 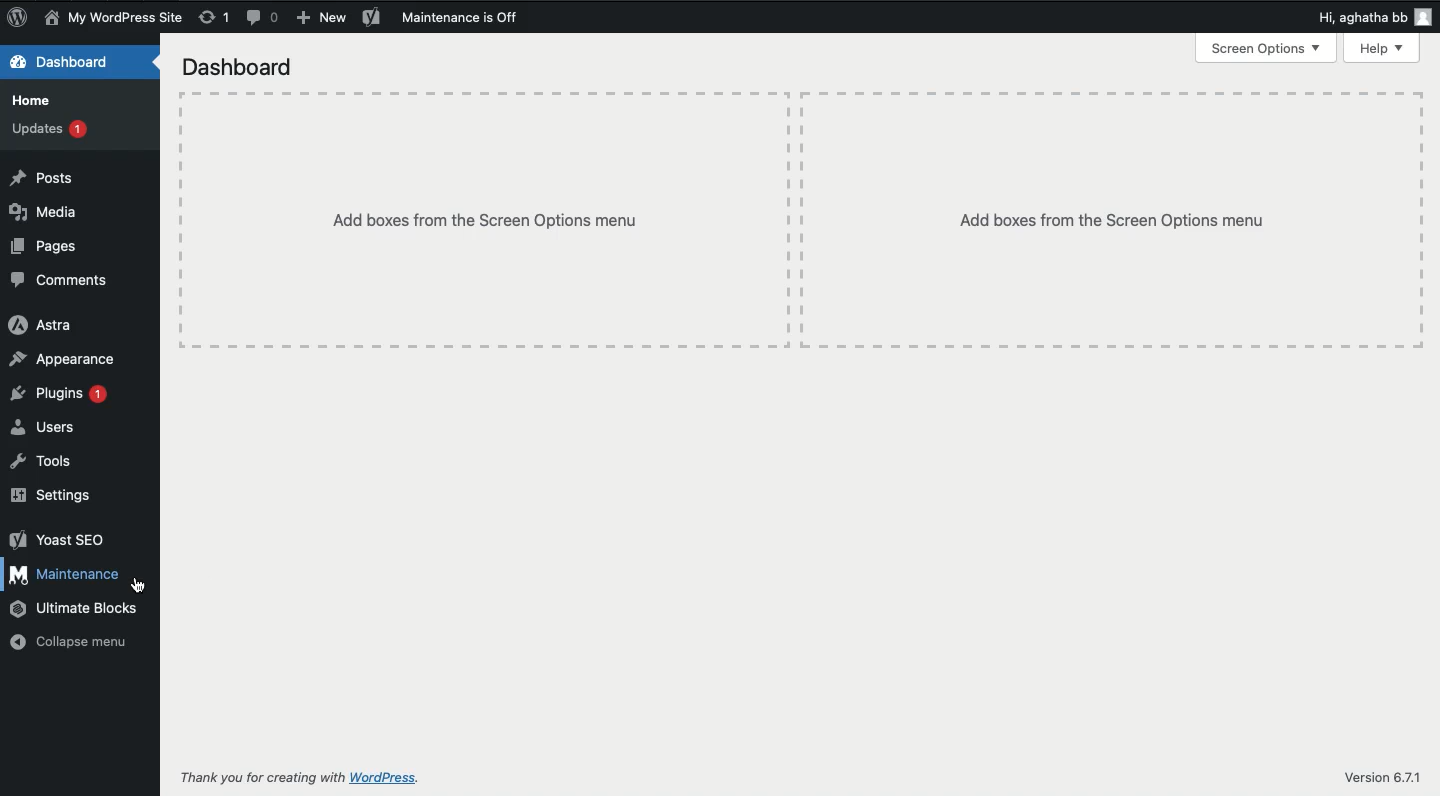 What do you see at coordinates (43, 211) in the screenshot?
I see `Media` at bounding box center [43, 211].